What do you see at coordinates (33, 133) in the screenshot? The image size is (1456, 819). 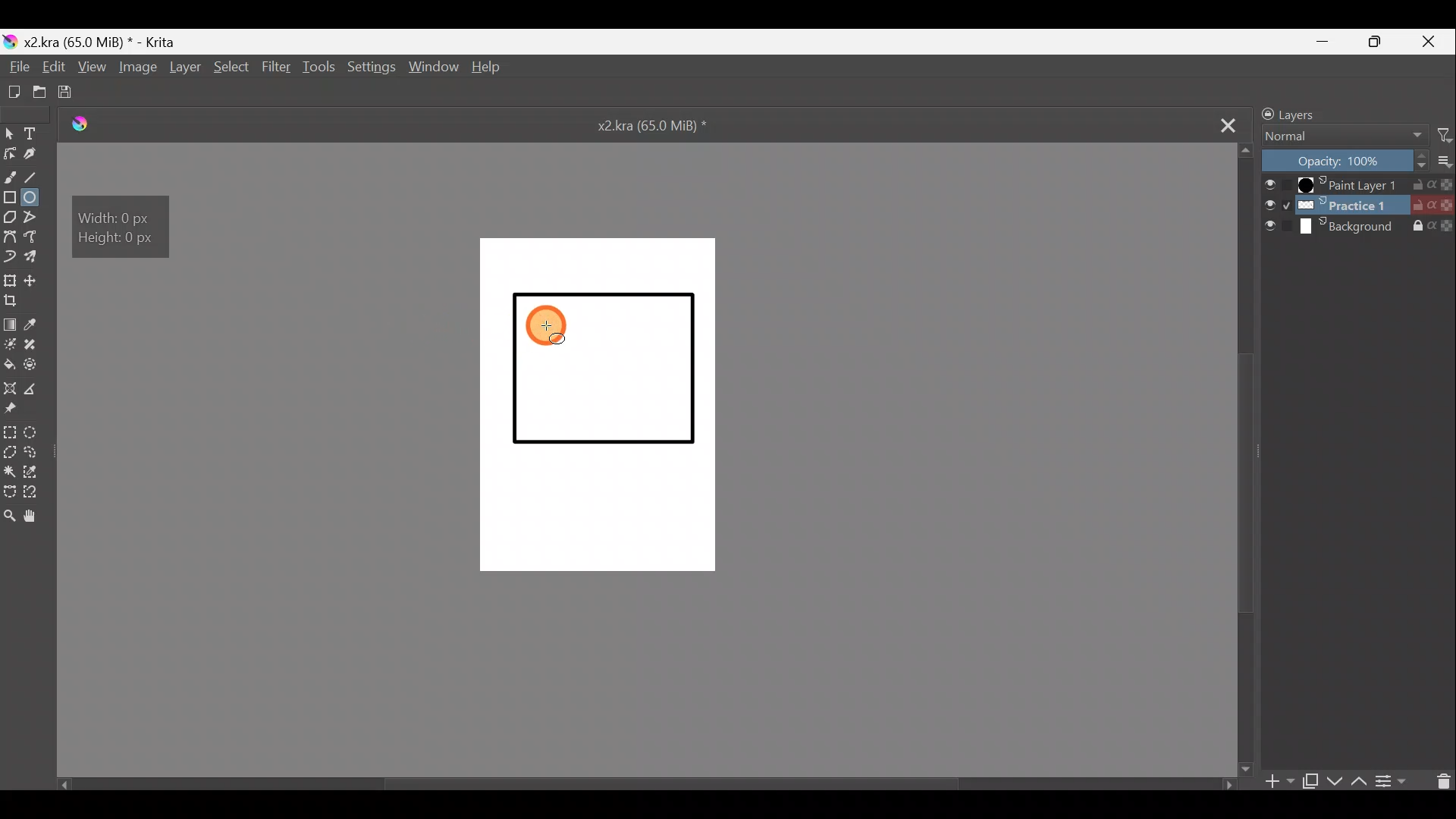 I see `Text tool` at bounding box center [33, 133].